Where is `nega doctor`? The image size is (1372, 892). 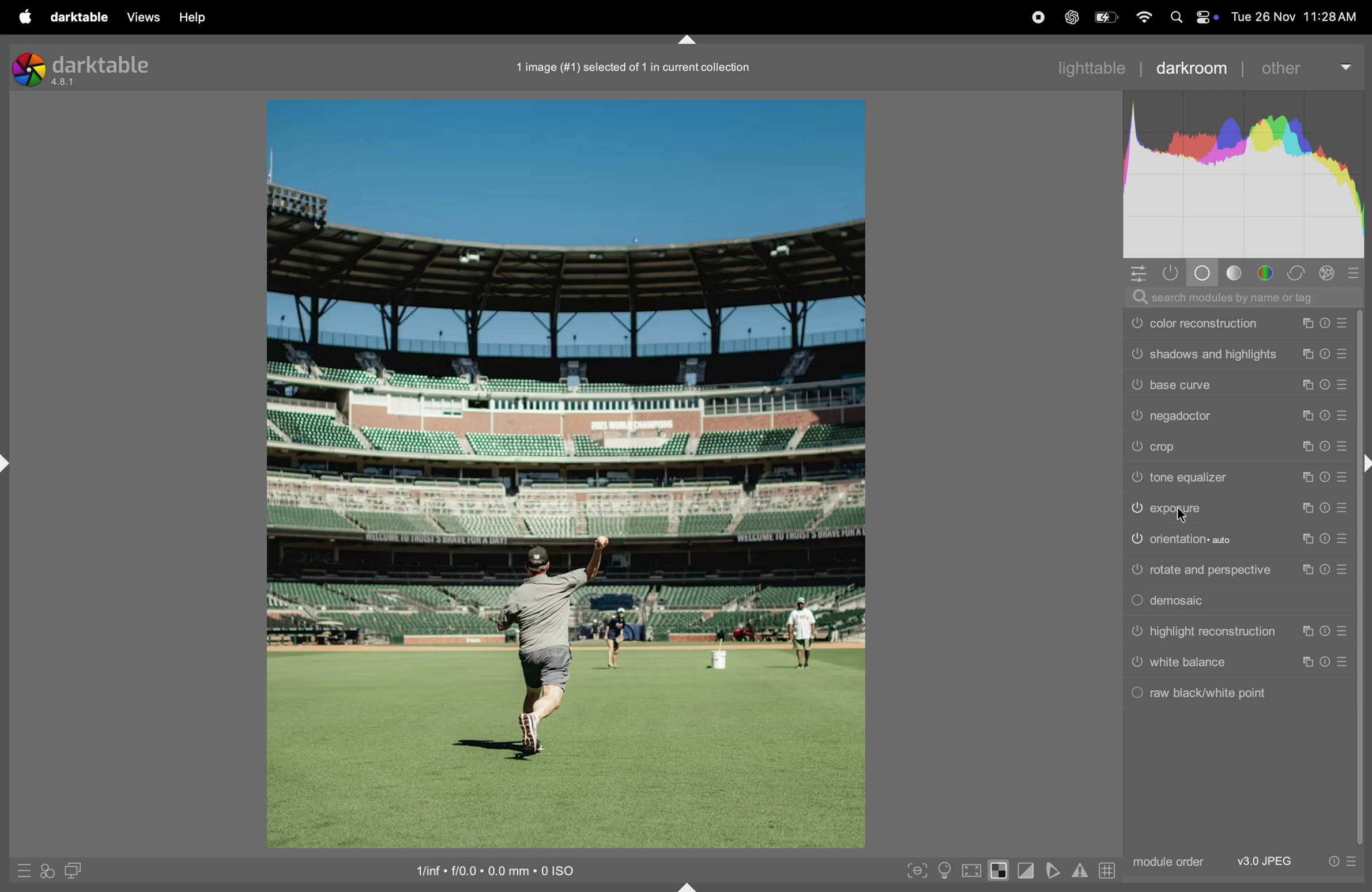 nega doctor is located at coordinates (1182, 415).